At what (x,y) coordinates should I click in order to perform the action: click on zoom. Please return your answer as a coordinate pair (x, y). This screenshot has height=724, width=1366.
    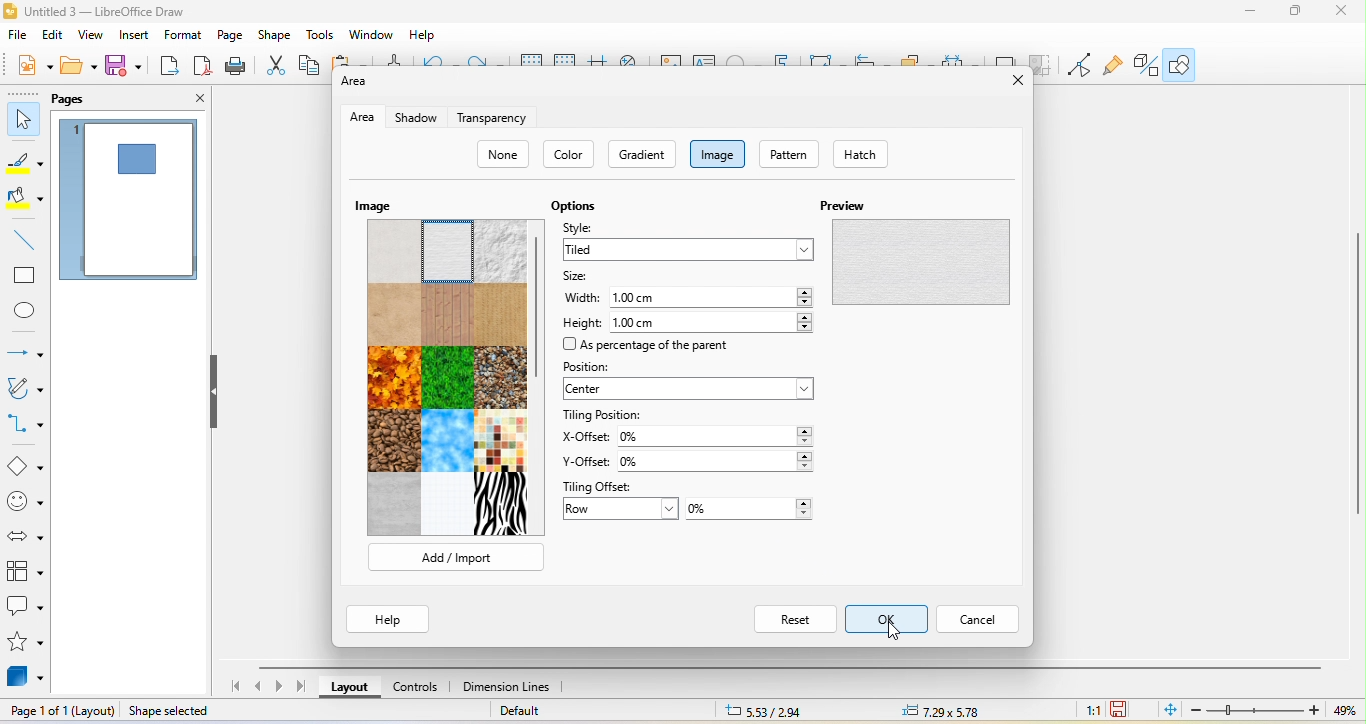
    Looking at the image, I should click on (1272, 712).